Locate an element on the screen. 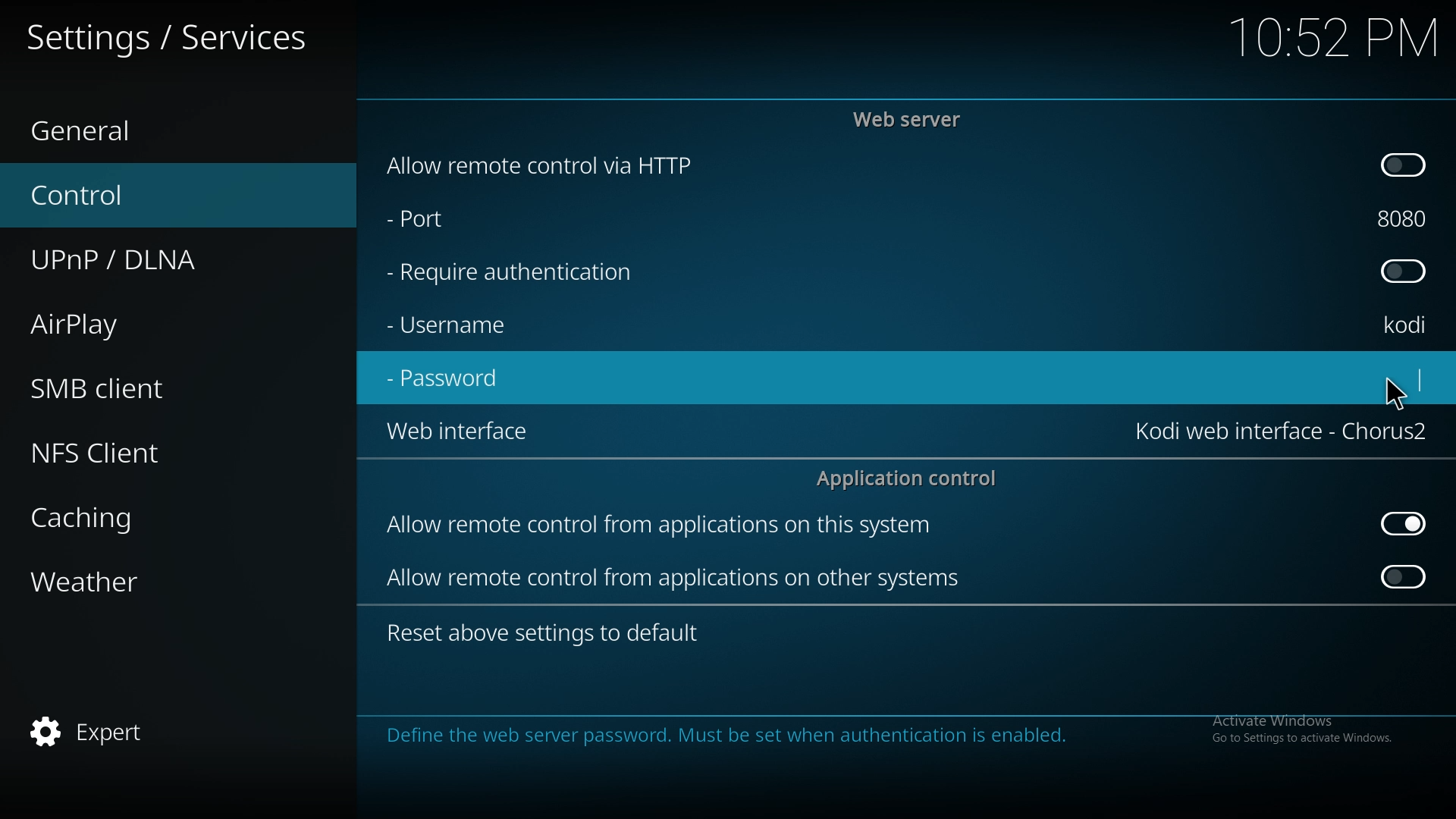 Image resolution: width=1456 pixels, height=819 pixels. smb client is located at coordinates (152, 388).